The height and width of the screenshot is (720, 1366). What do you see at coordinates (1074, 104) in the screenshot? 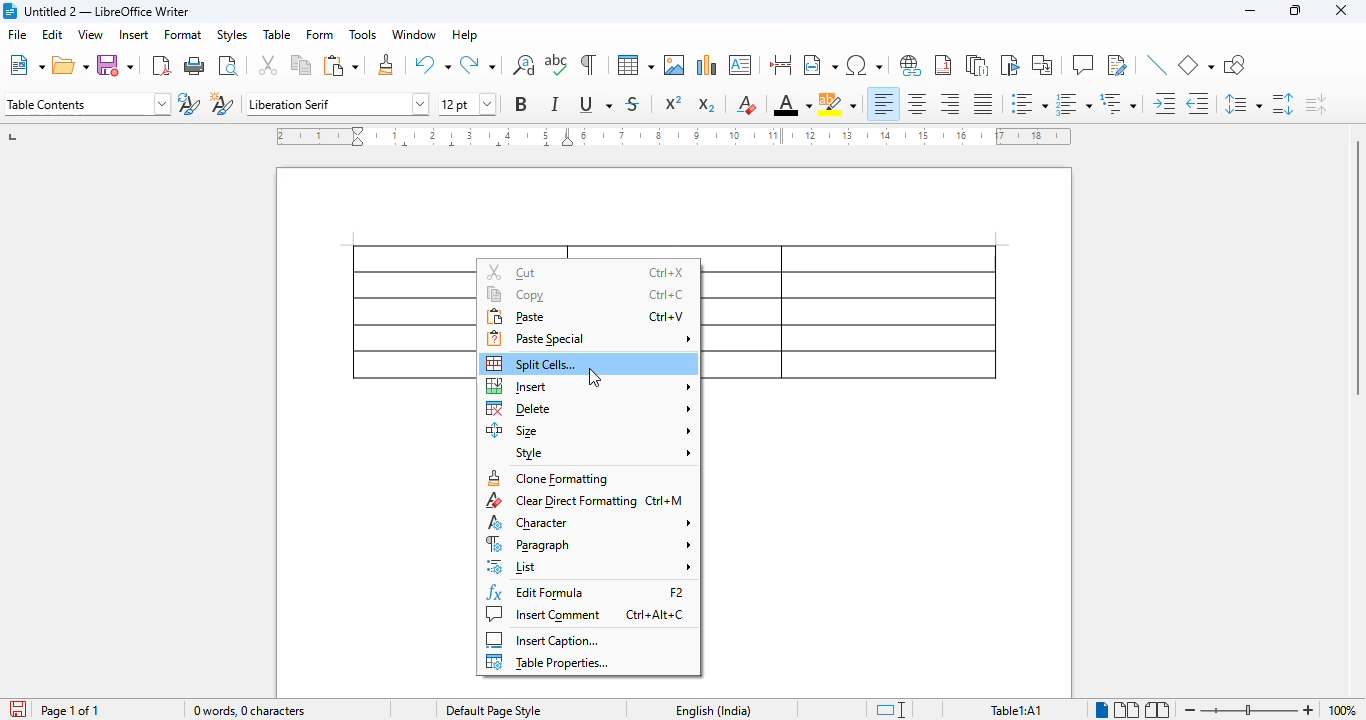
I see `toggle ordered list` at bounding box center [1074, 104].